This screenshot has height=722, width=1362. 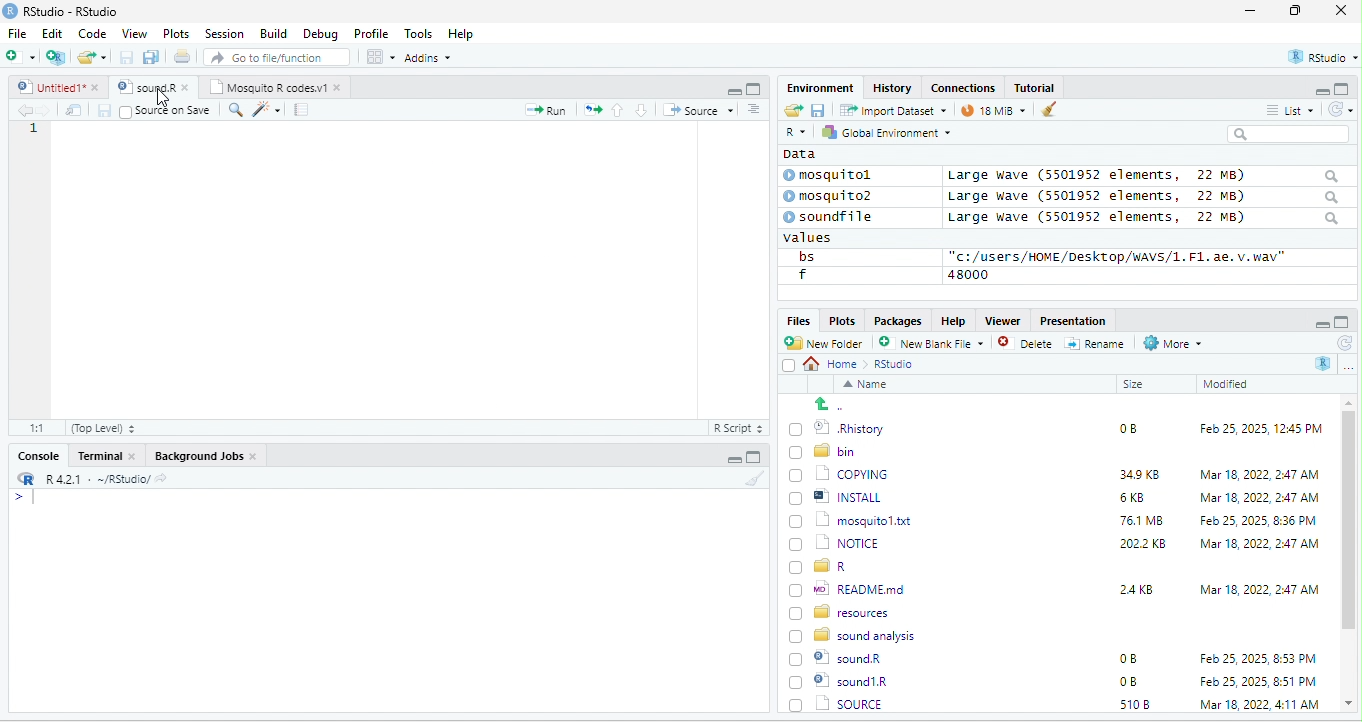 What do you see at coordinates (619, 109) in the screenshot?
I see `up` at bounding box center [619, 109].